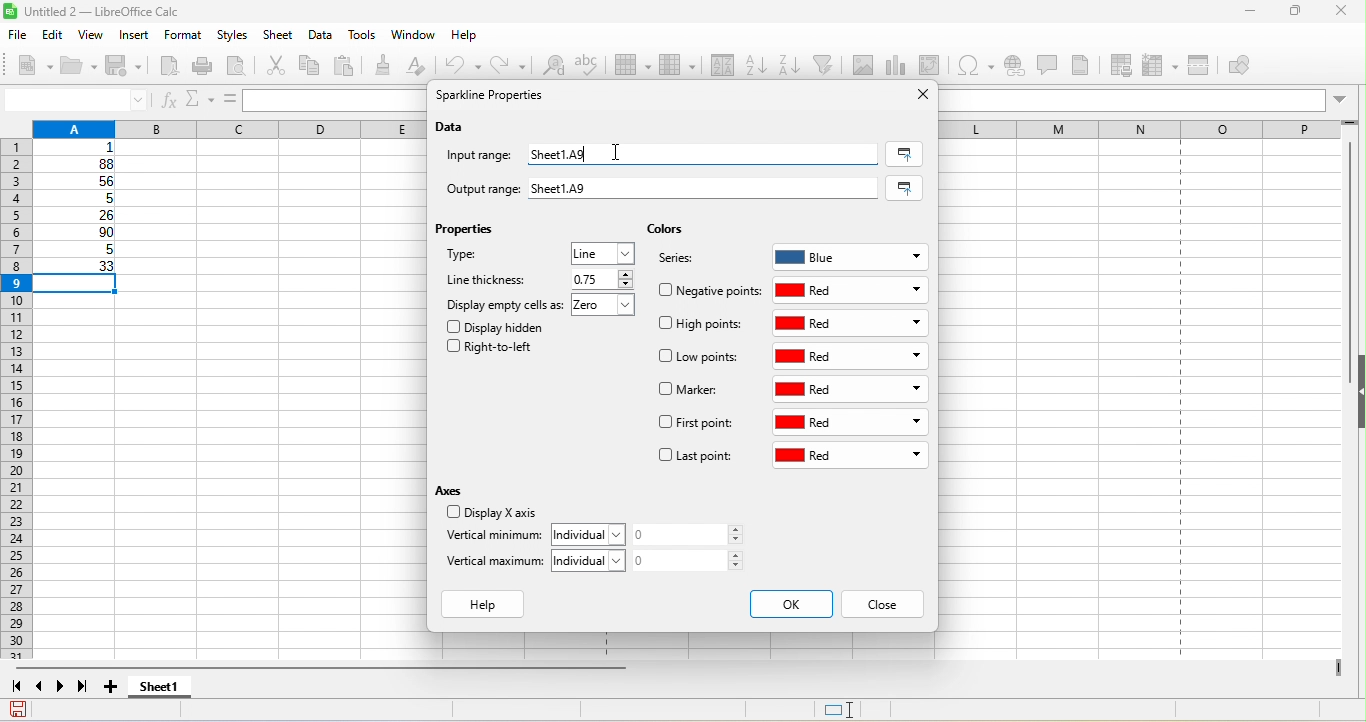 The width and height of the screenshot is (1366, 722). I want to click on comment, so click(1051, 65).